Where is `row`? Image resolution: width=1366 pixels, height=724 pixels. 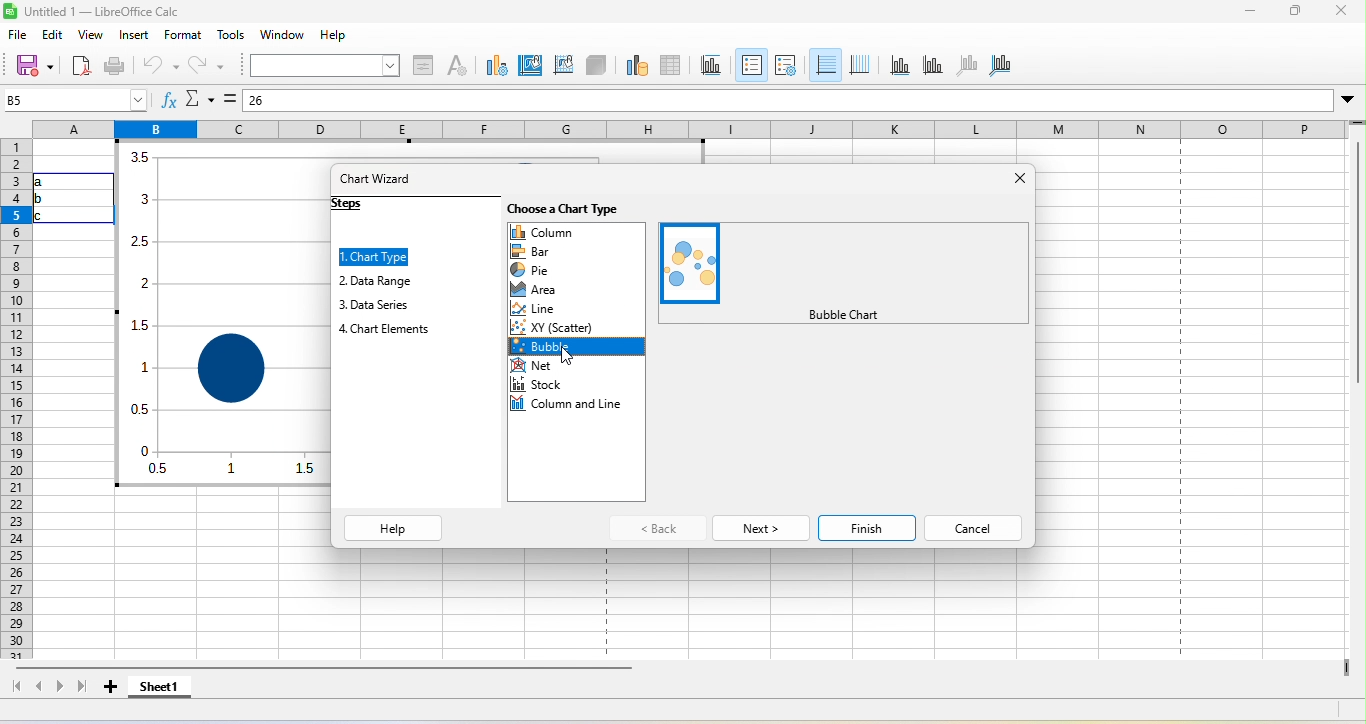
row is located at coordinates (16, 398).